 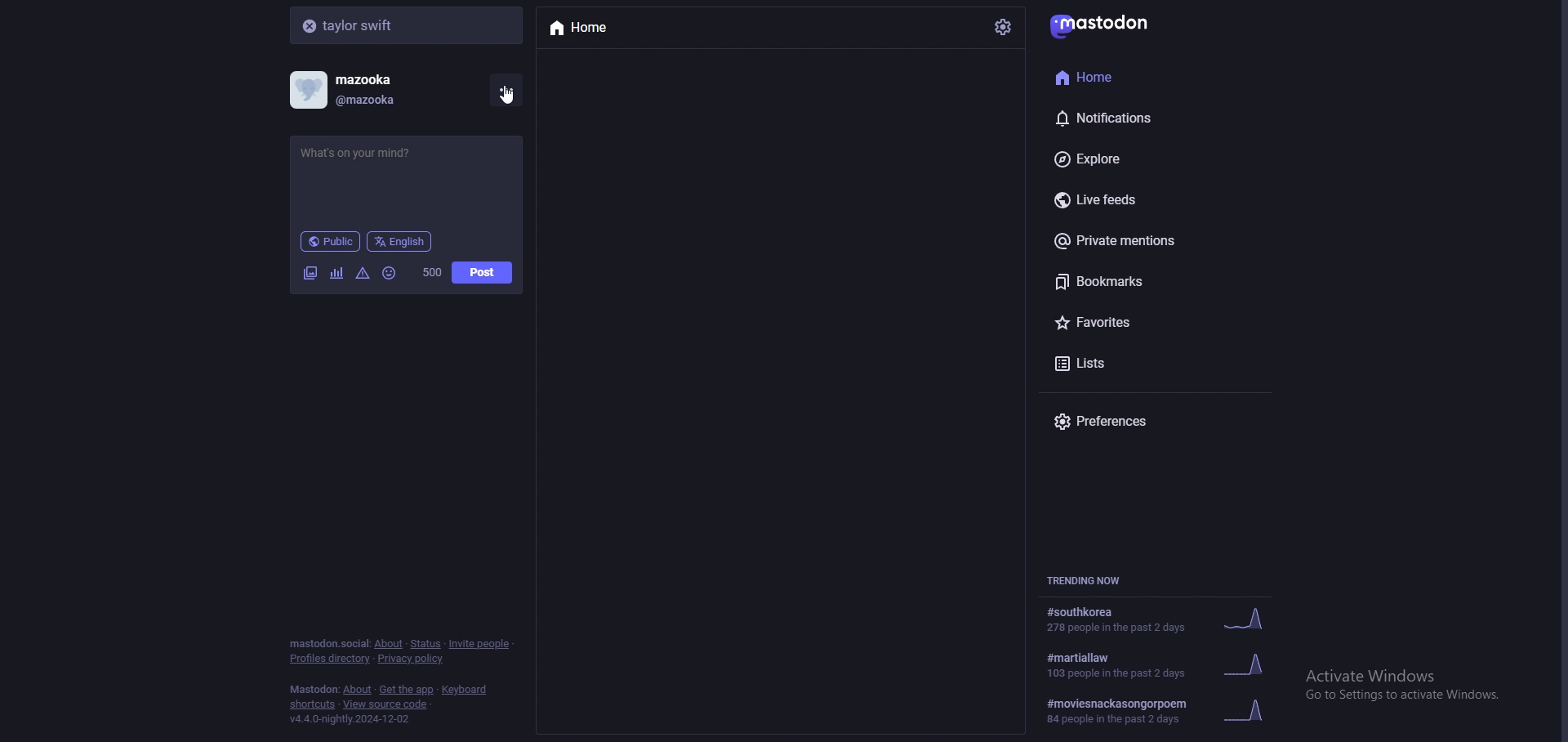 What do you see at coordinates (1003, 26) in the screenshot?
I see `settings` at bounding box center [1003, 26].